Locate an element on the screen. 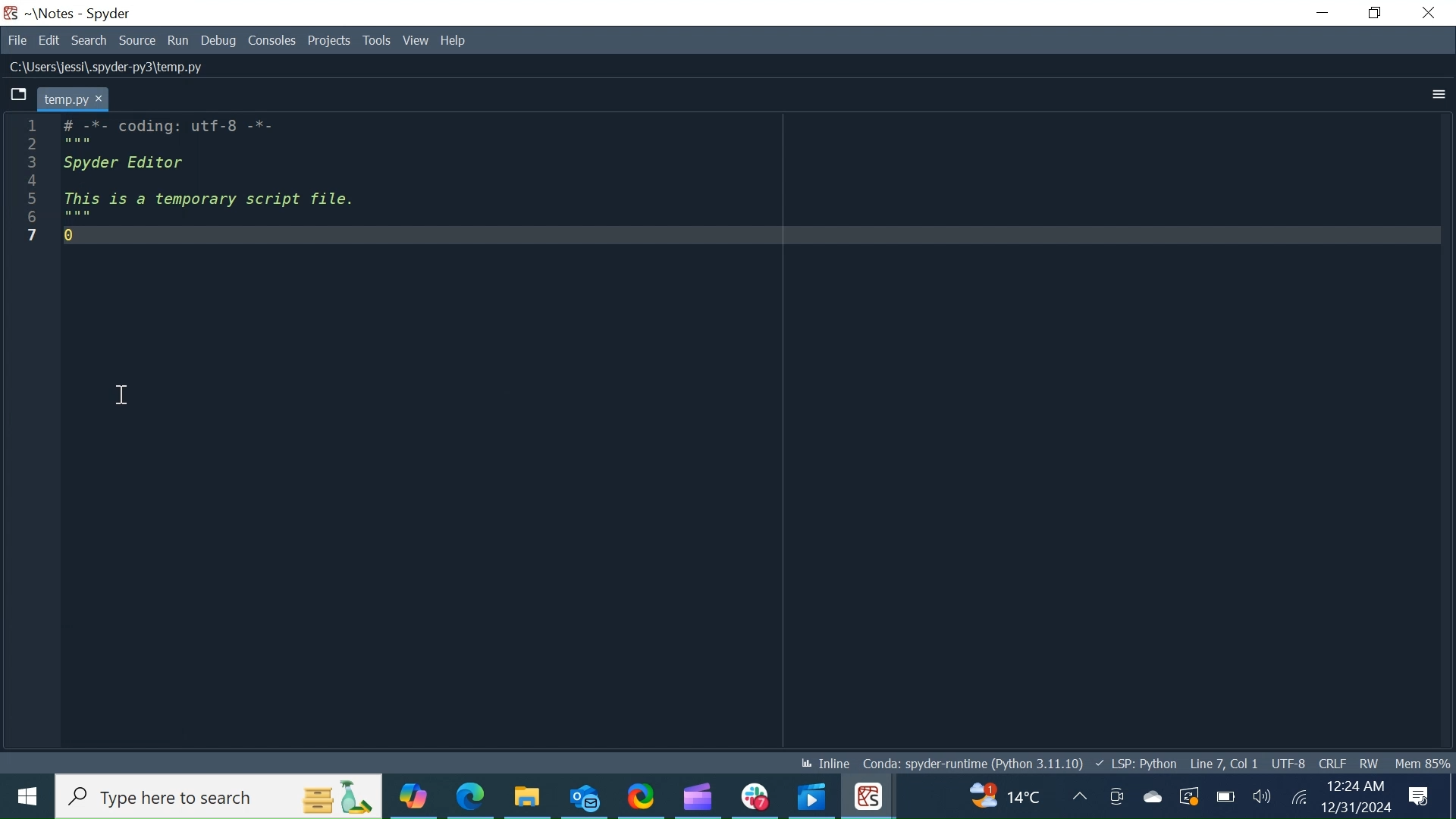 The image size is (1456, 819). Photo Desktop Icon is located at coordinates (812, 795).